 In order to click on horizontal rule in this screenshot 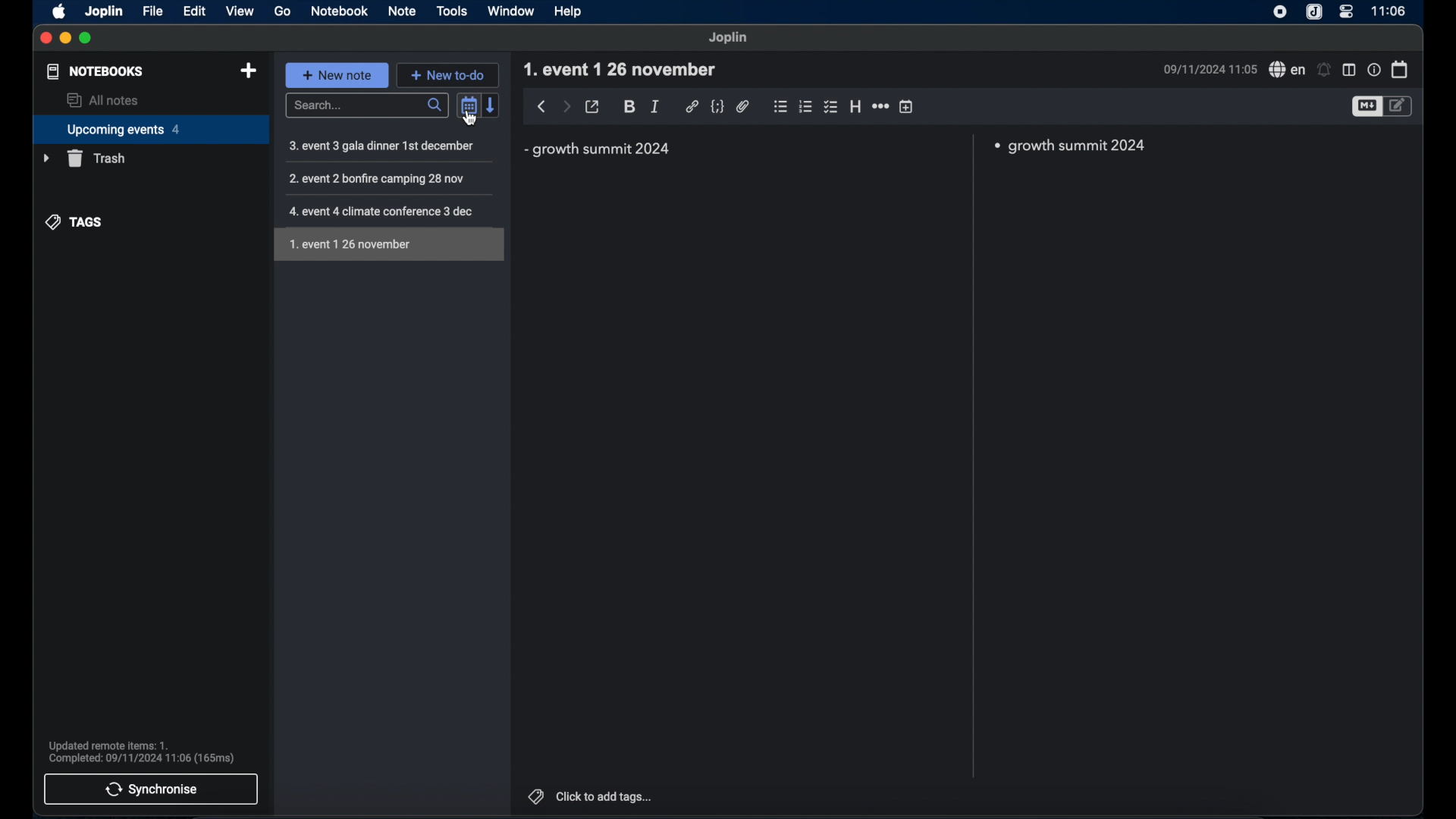, I will do `click(880, 106)`.